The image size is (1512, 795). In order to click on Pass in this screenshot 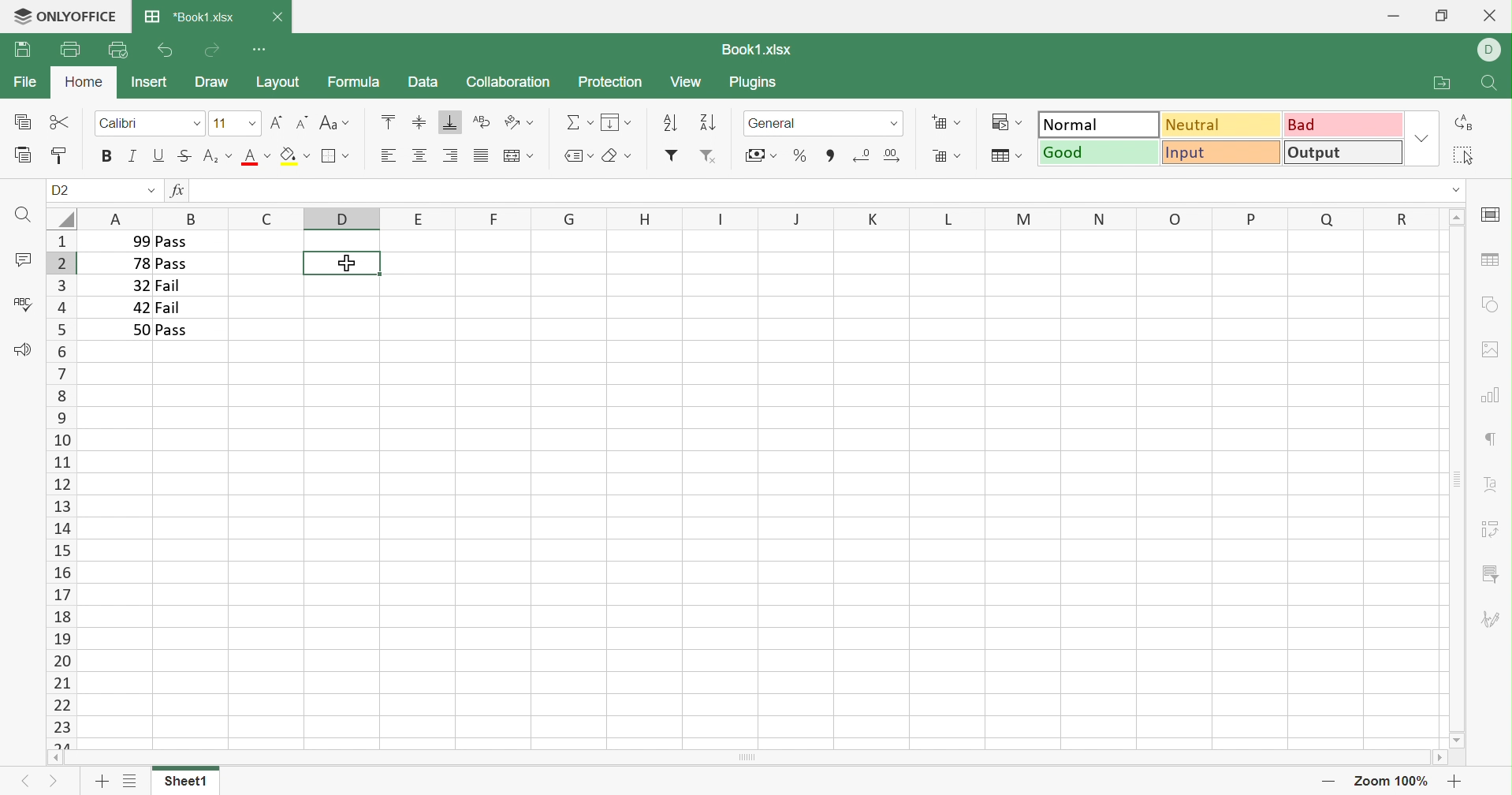, I will do `click(171, 241)`.